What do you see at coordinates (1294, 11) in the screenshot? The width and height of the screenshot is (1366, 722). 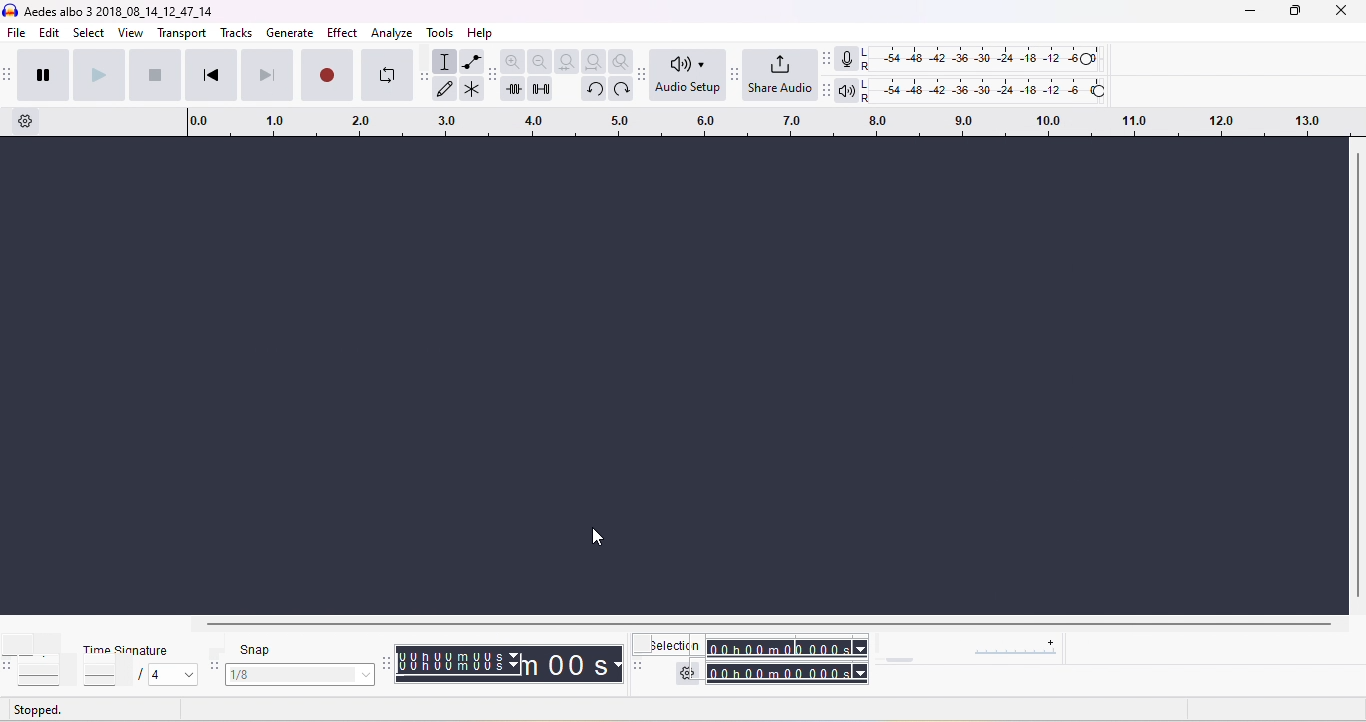 I see `maximize` at bounding box center [1294, 11].